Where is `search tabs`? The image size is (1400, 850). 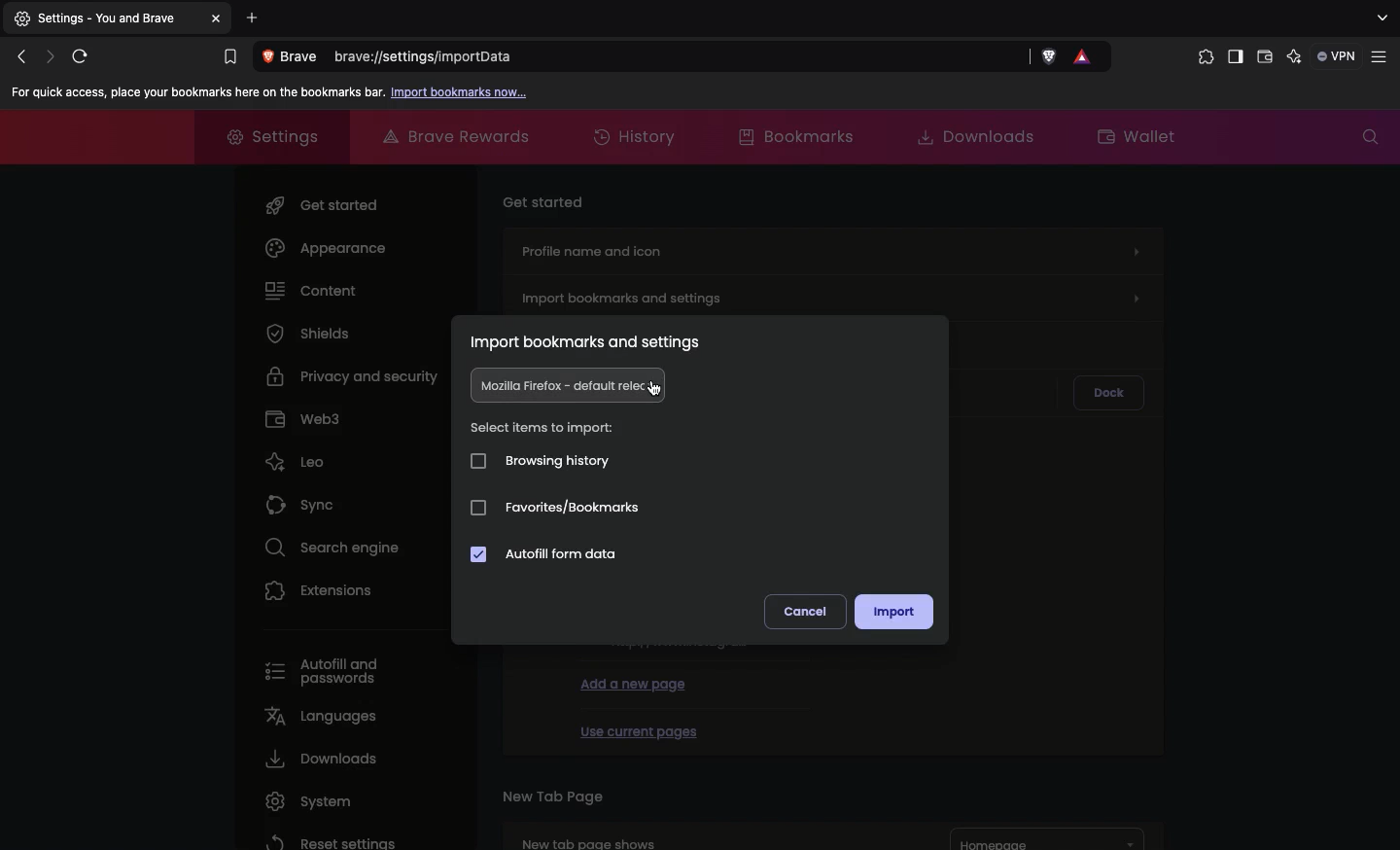 search tabs is located at coordinates (1381, 18).